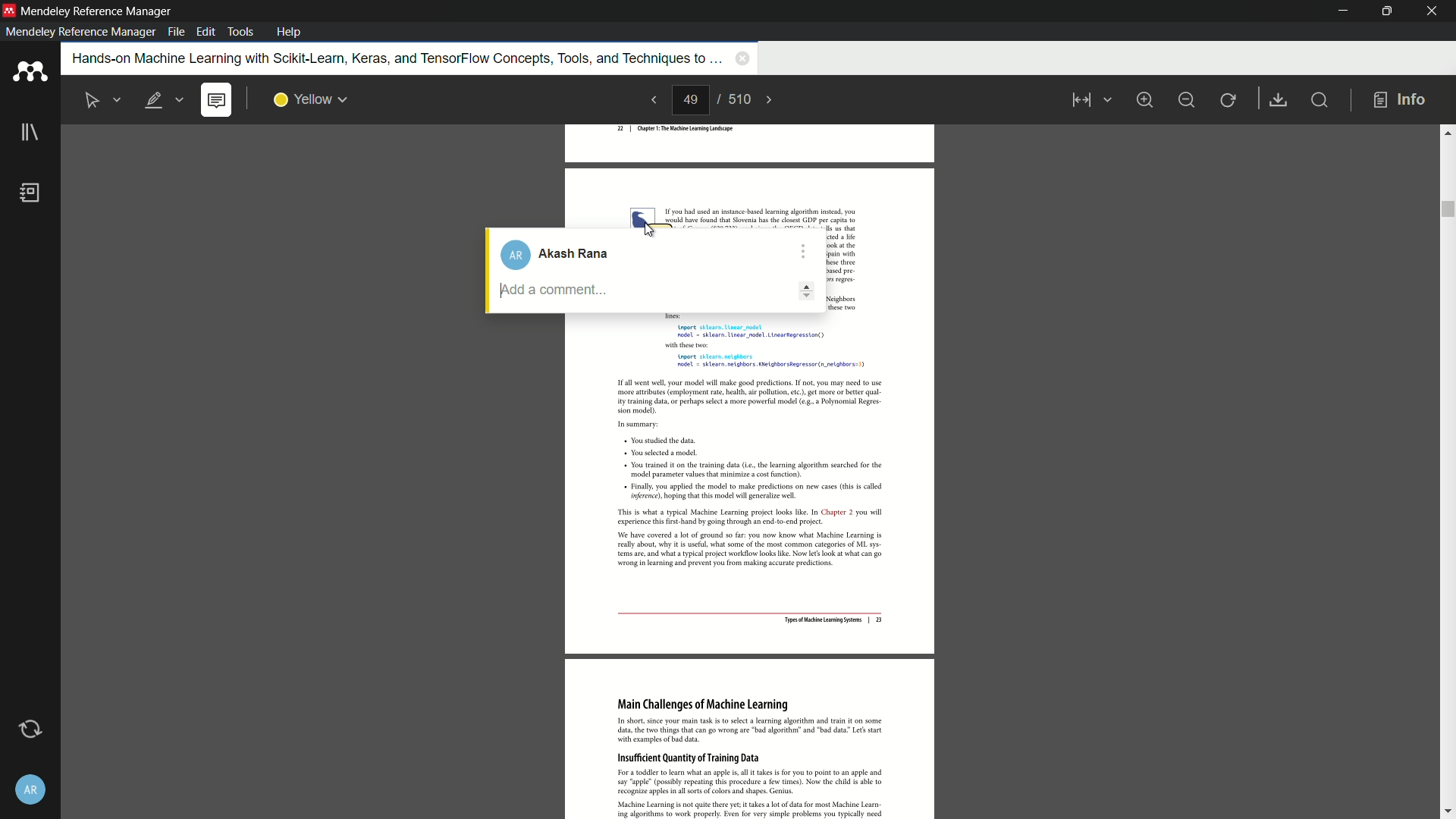  What do you see at coordinates (29, 789) in the screenshot?
I see `account and help` at bounding box center [29, 789].